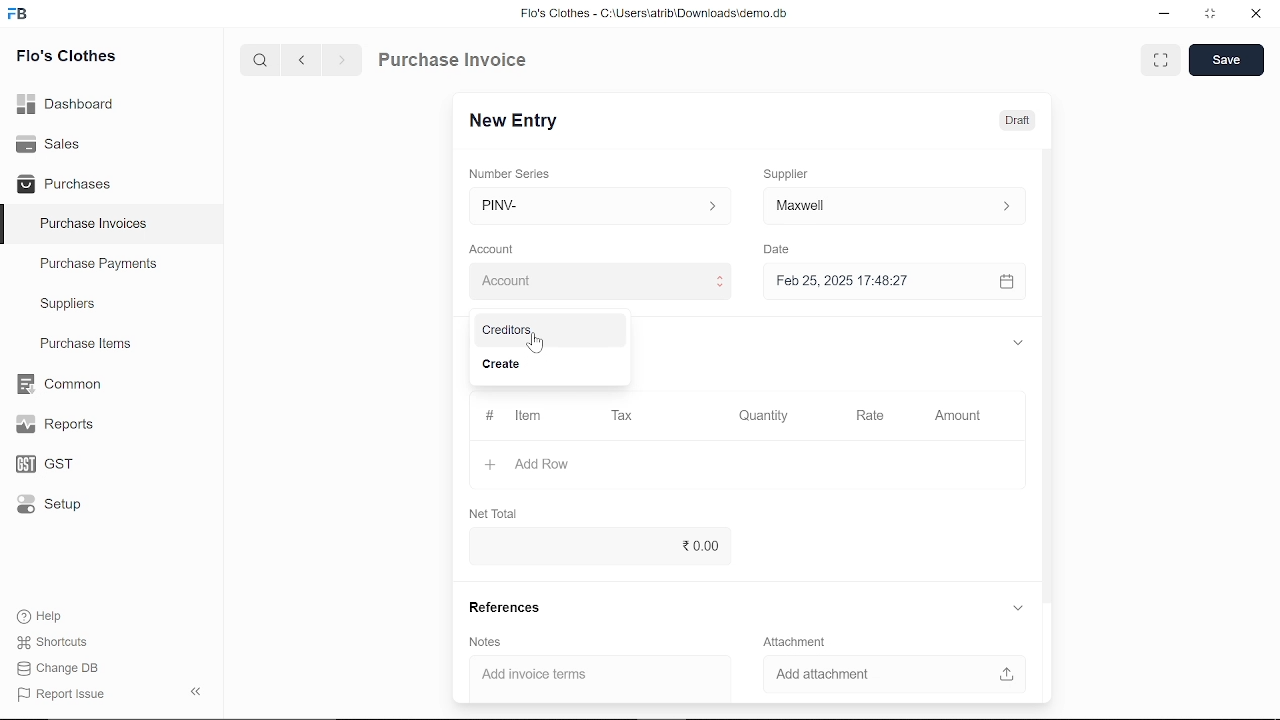  I want to click on ‘Attachment, so click(794, 641).